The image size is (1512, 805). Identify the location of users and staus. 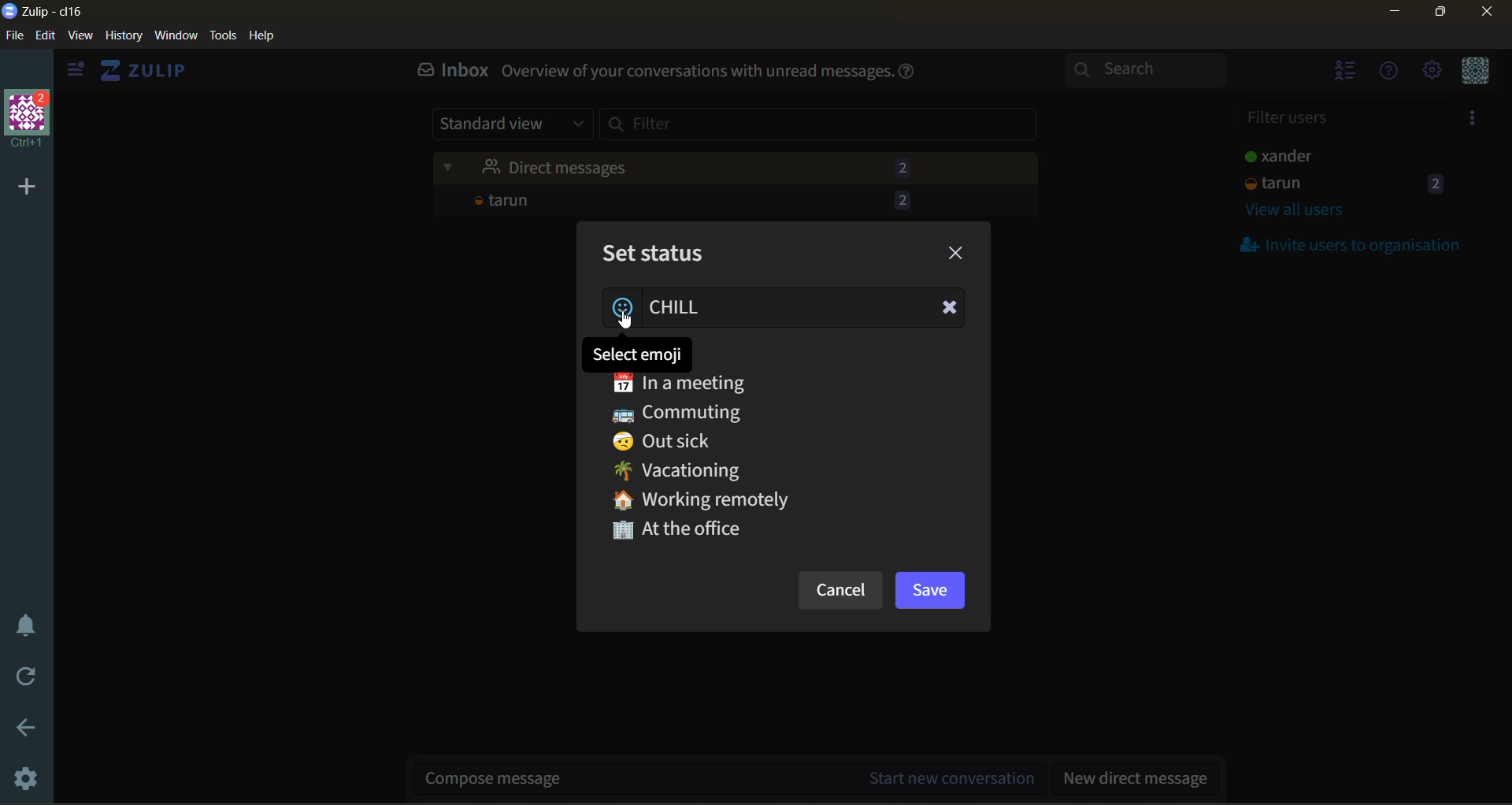
(1351, 154).